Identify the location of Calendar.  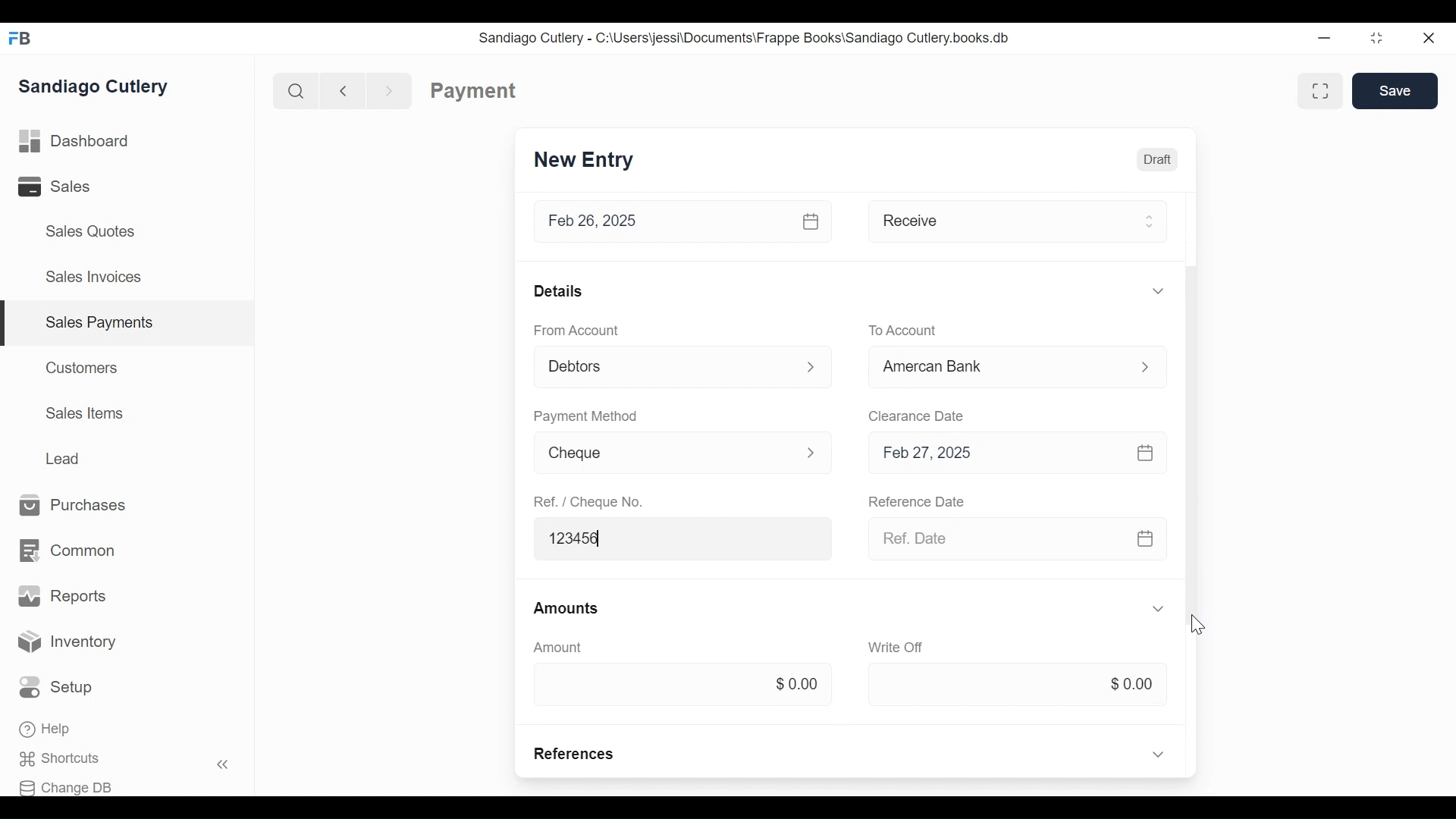
(1147, 539).